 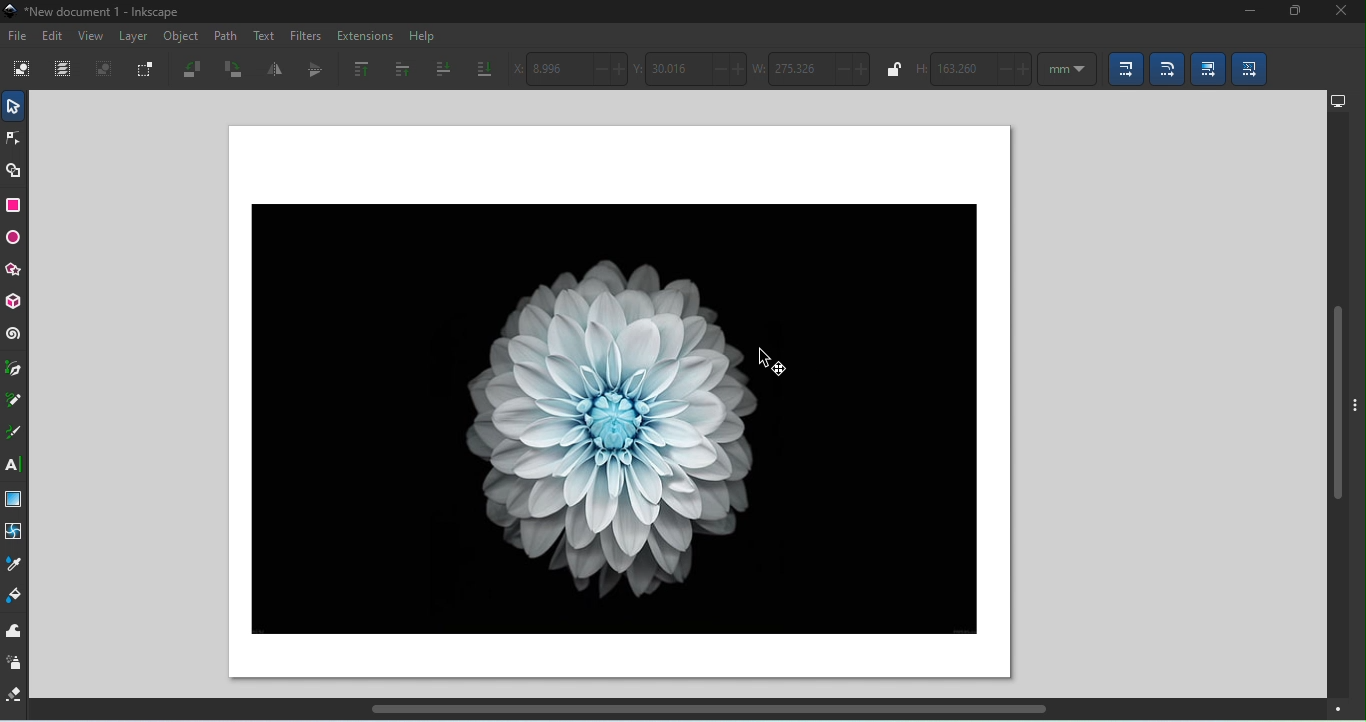 What do you see at coordinates (147, 69) in the screenshot?
I see `Toggle selection box to select all touched objects` at bounding box center [147, 69].